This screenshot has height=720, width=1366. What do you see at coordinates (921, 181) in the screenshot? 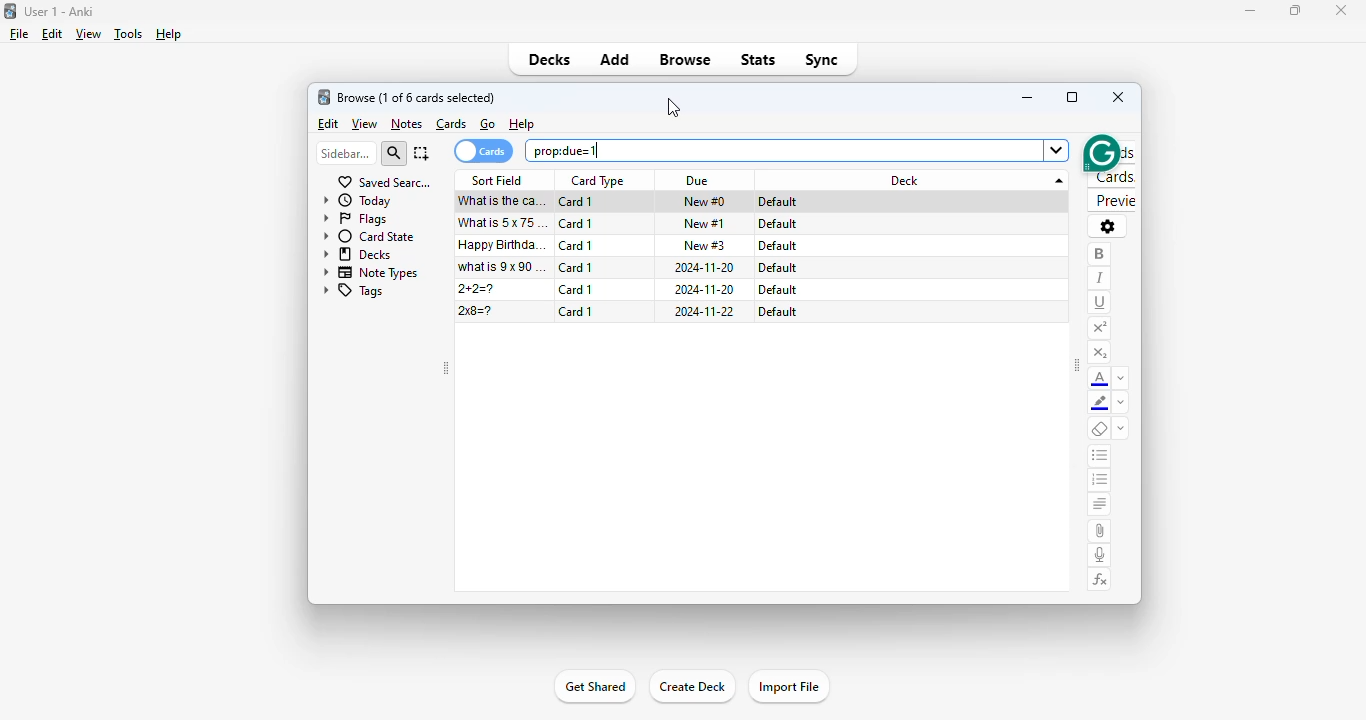
I see `deck` at bounding box center [921, 181].